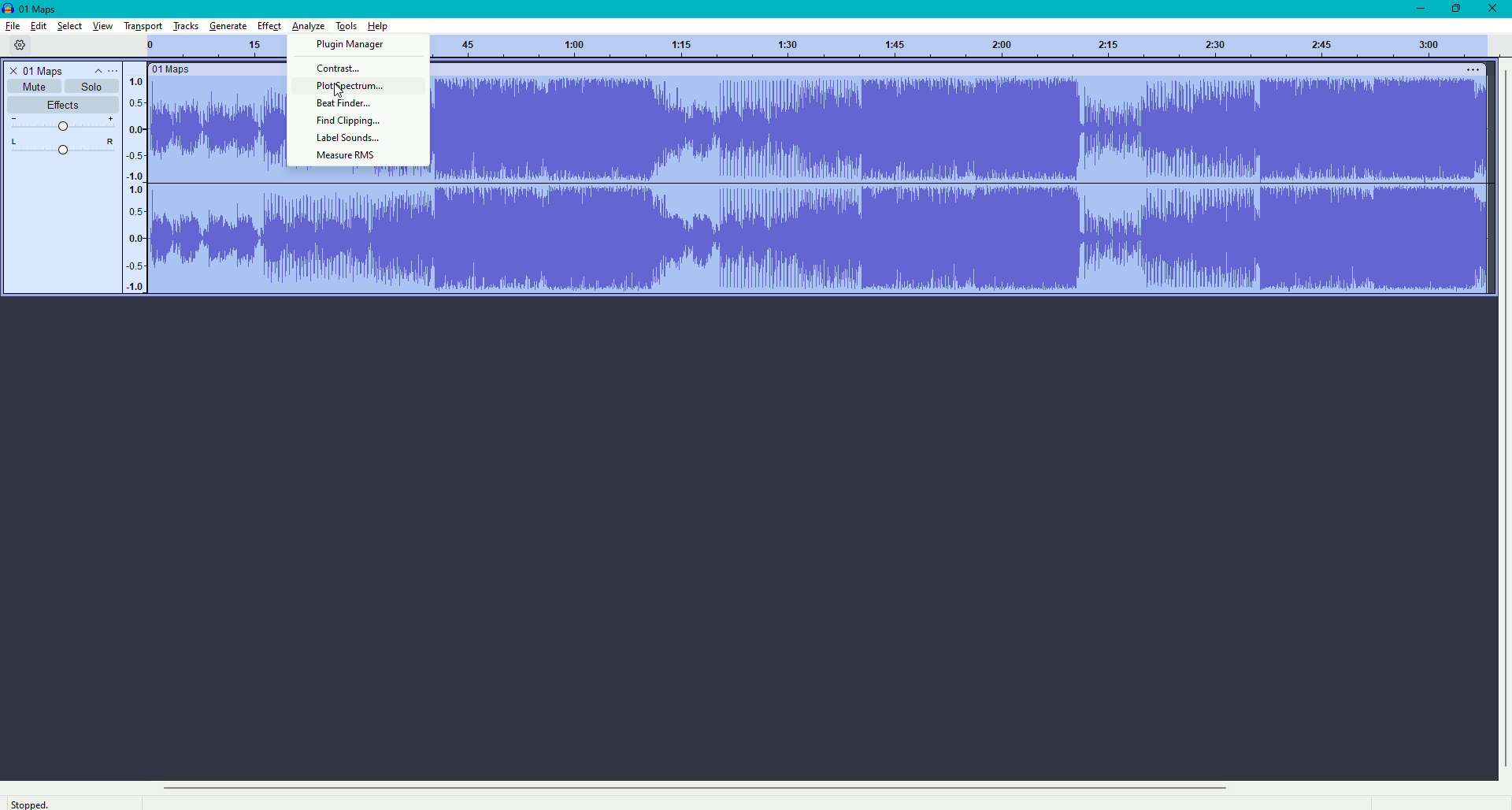 The width and height of the screenshot is (1512, 810). Describe the element at coordinates (349, 121) in the screenshot. I see `Find Clipping` at that location.